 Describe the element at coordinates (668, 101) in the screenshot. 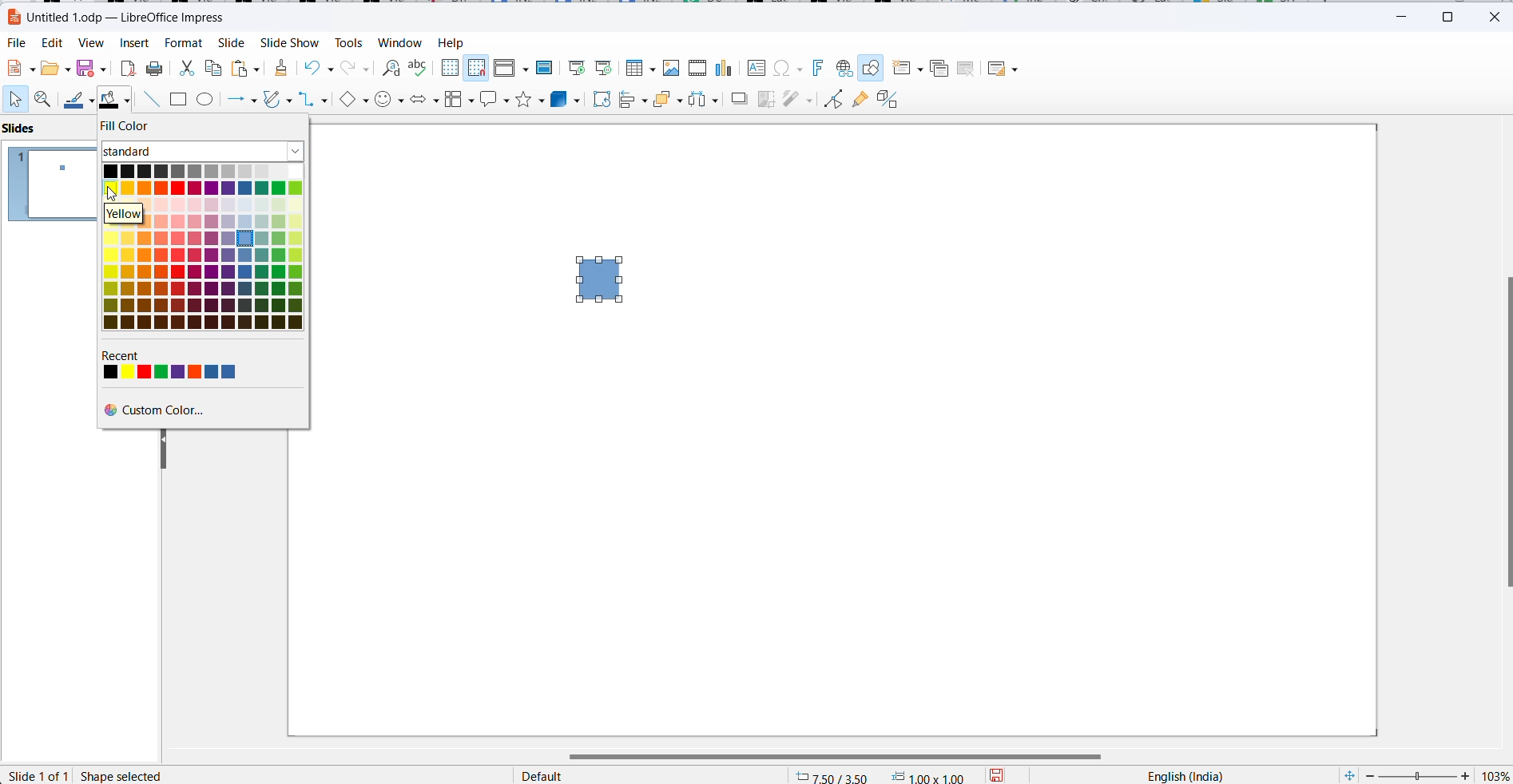

I see `arrange` at that location.